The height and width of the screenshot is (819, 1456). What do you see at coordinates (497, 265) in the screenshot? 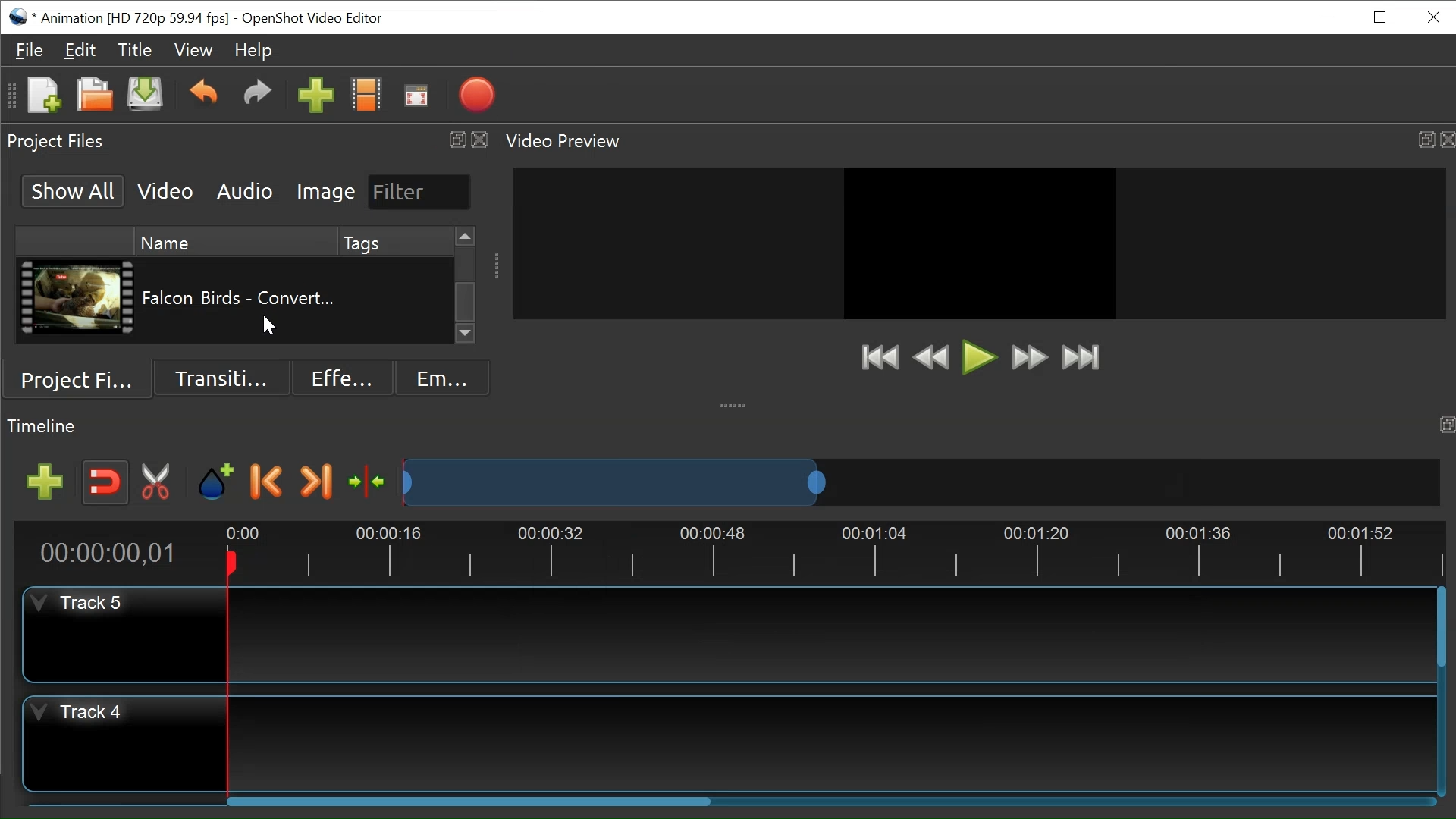
I see `Drag handle` at bounding box center [497, 265].